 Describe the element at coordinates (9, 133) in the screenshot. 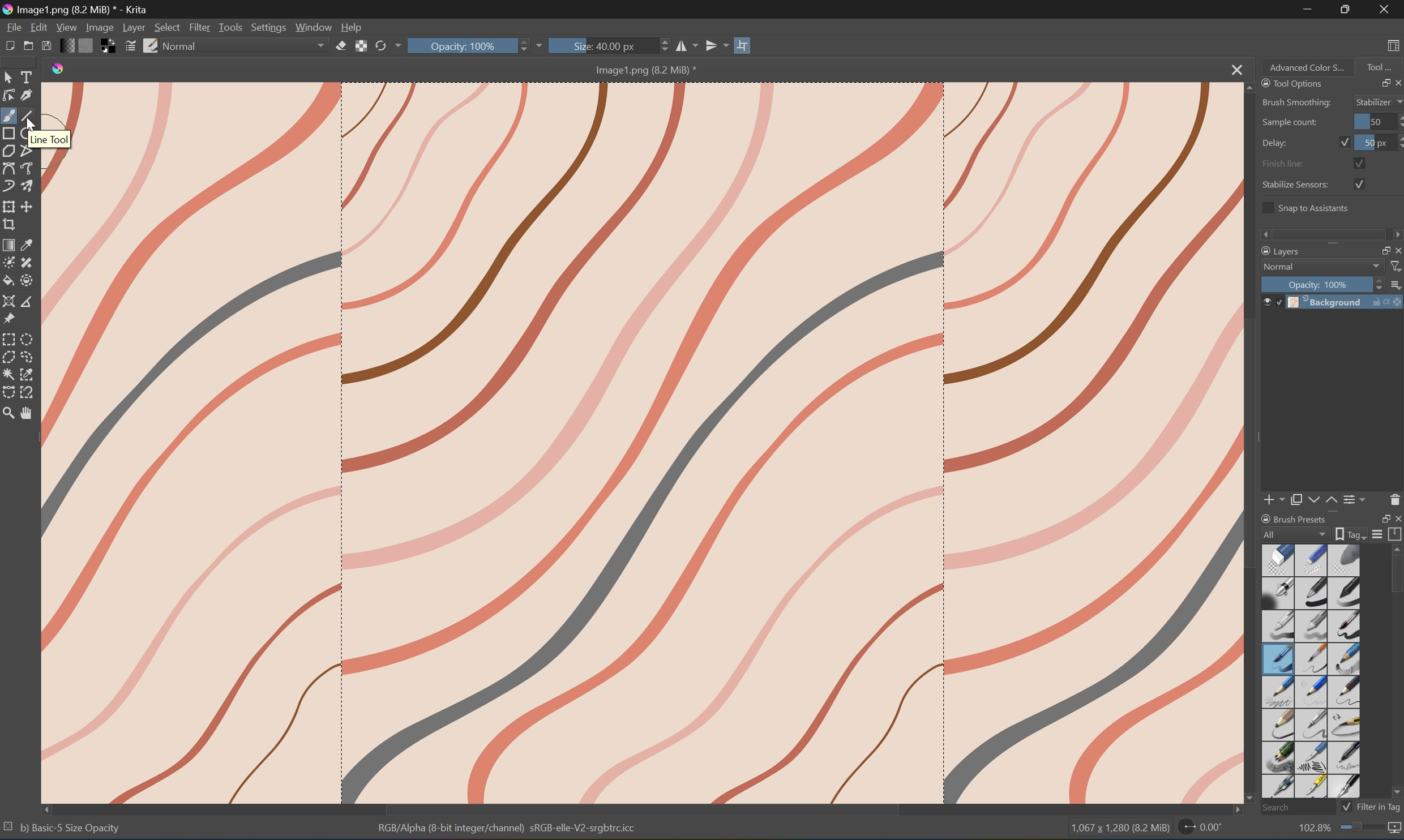

I see `Rectangle tool` at that location.